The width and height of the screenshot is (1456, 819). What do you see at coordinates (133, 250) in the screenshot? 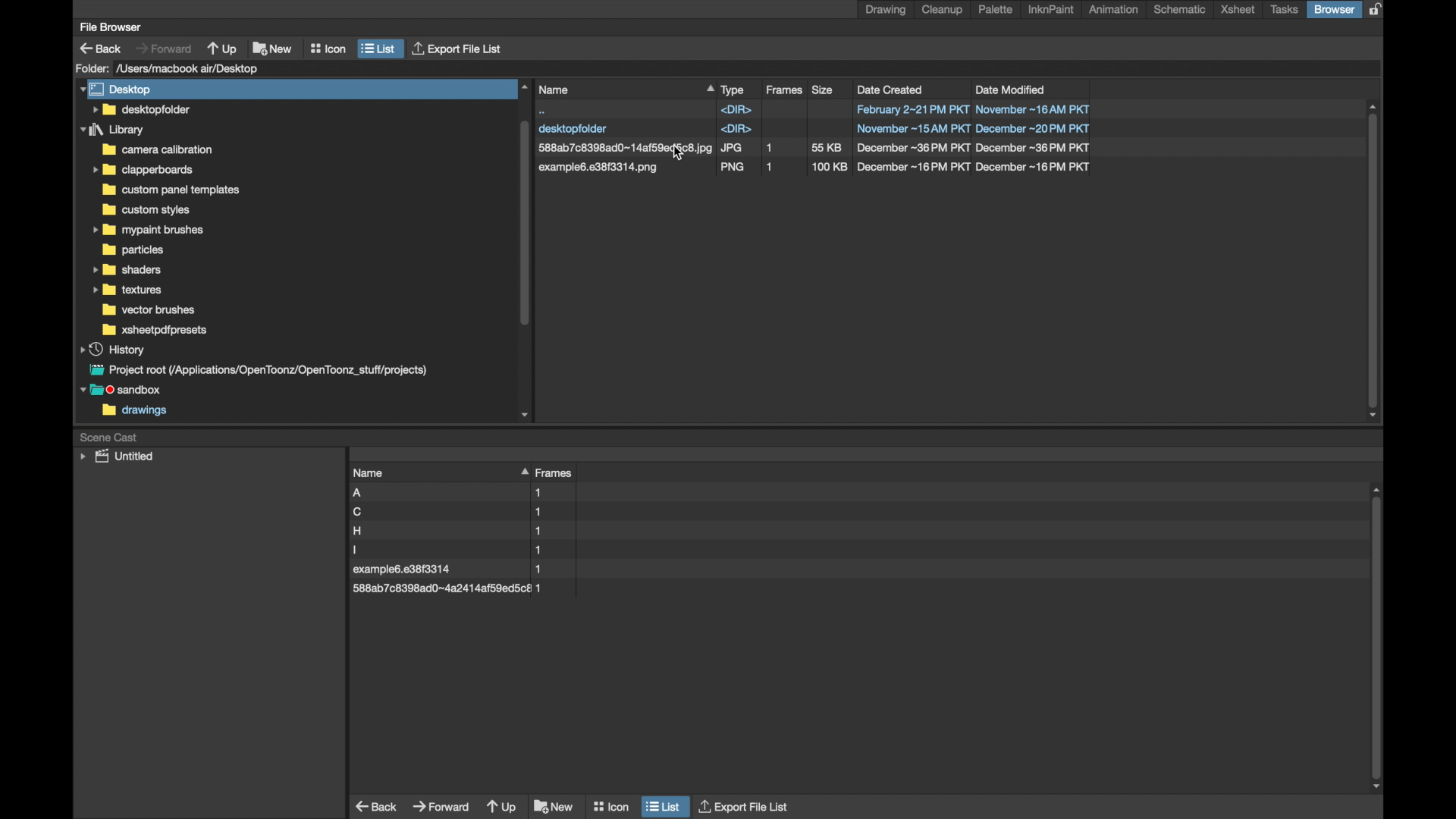
I see `folder` at bounding box center [133, 250].